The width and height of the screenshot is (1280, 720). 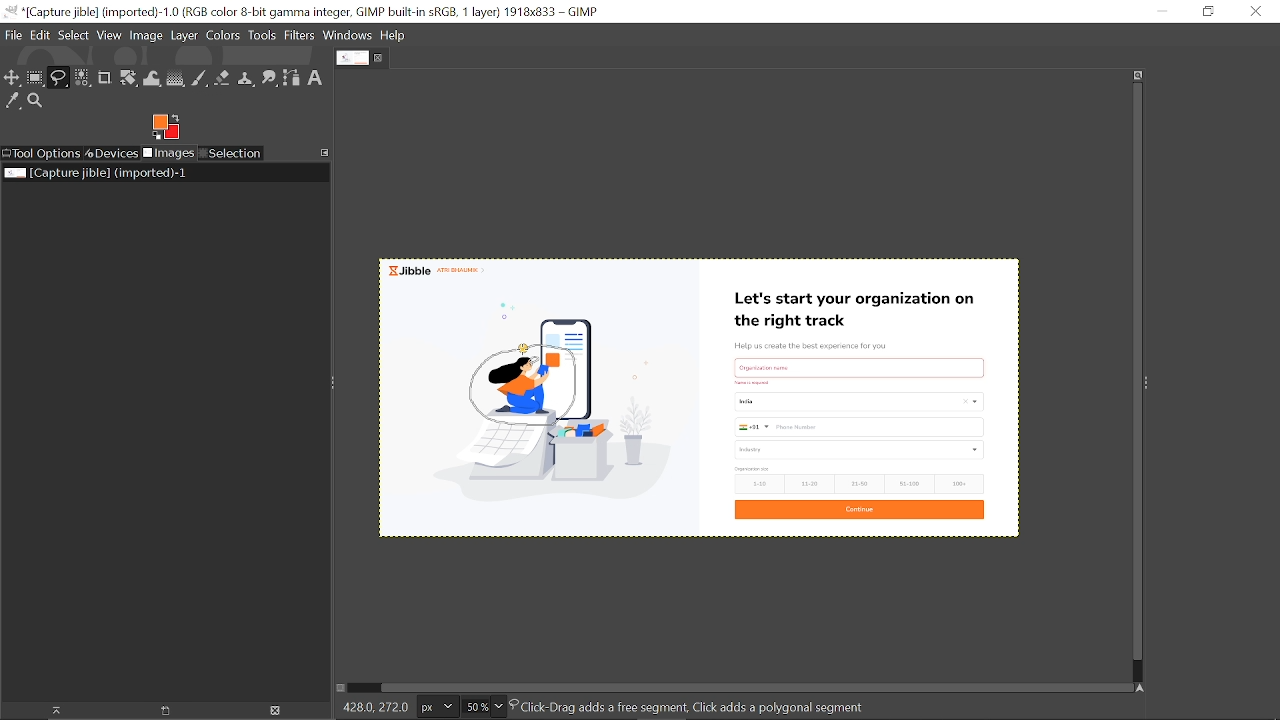 What do you see at coordinates (745, 684) in the screenshot?
I see `Horizontal scrollbar` at bounding box center [745, 684].